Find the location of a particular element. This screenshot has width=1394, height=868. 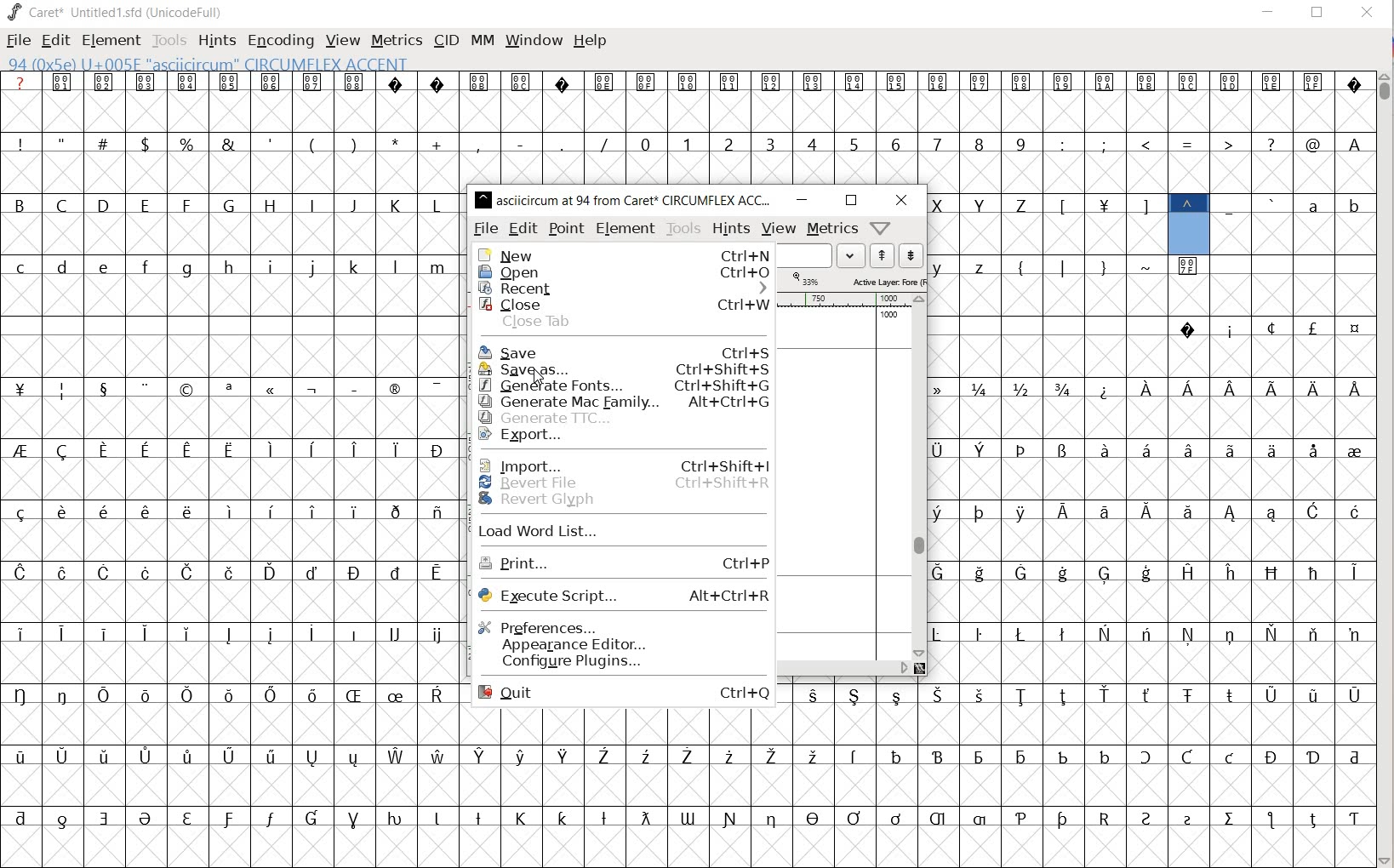

Active Layer is located at coordinates (856, 280).